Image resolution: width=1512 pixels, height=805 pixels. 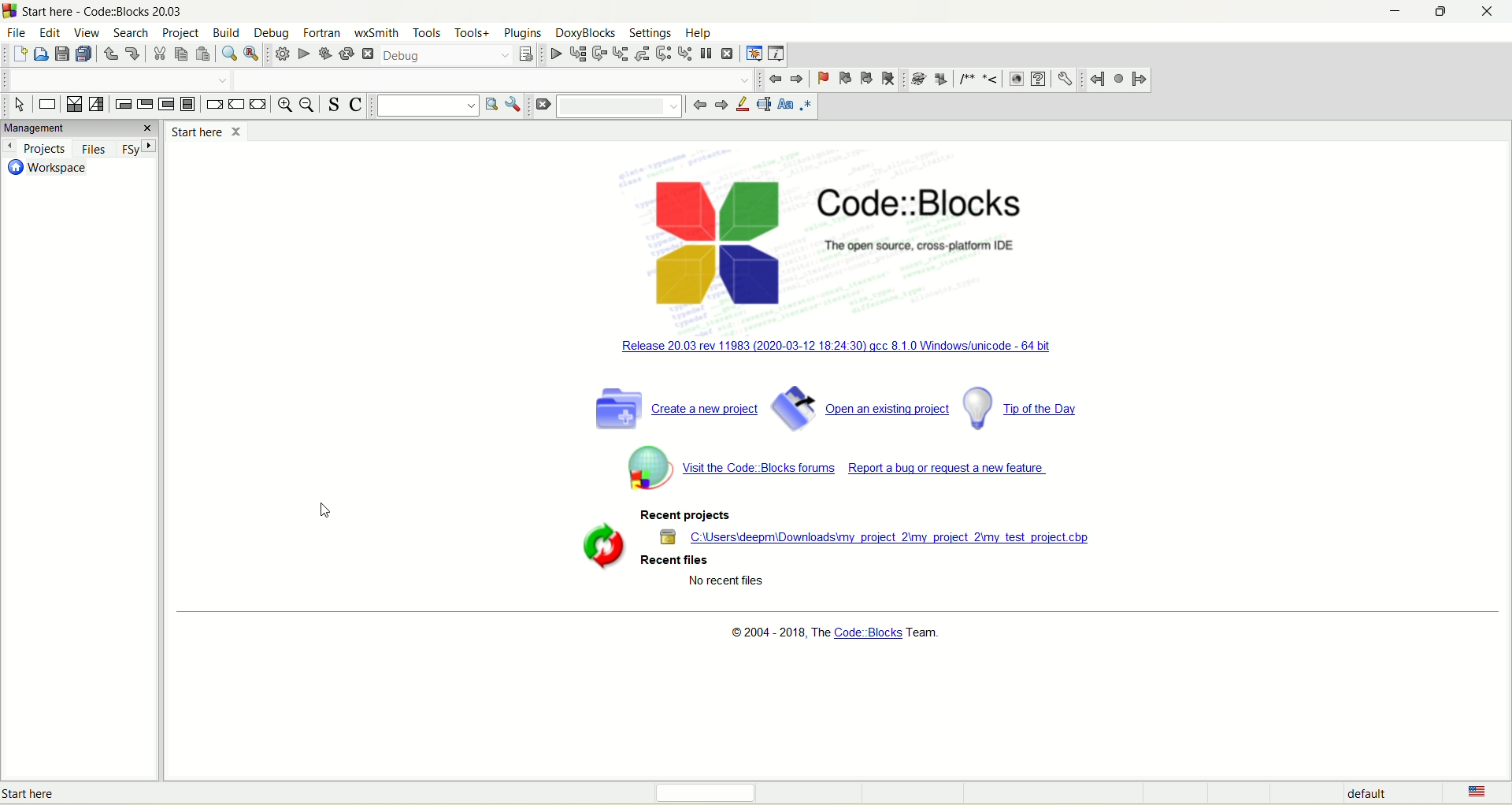 I want to click on search, so click(x=135, y=33).